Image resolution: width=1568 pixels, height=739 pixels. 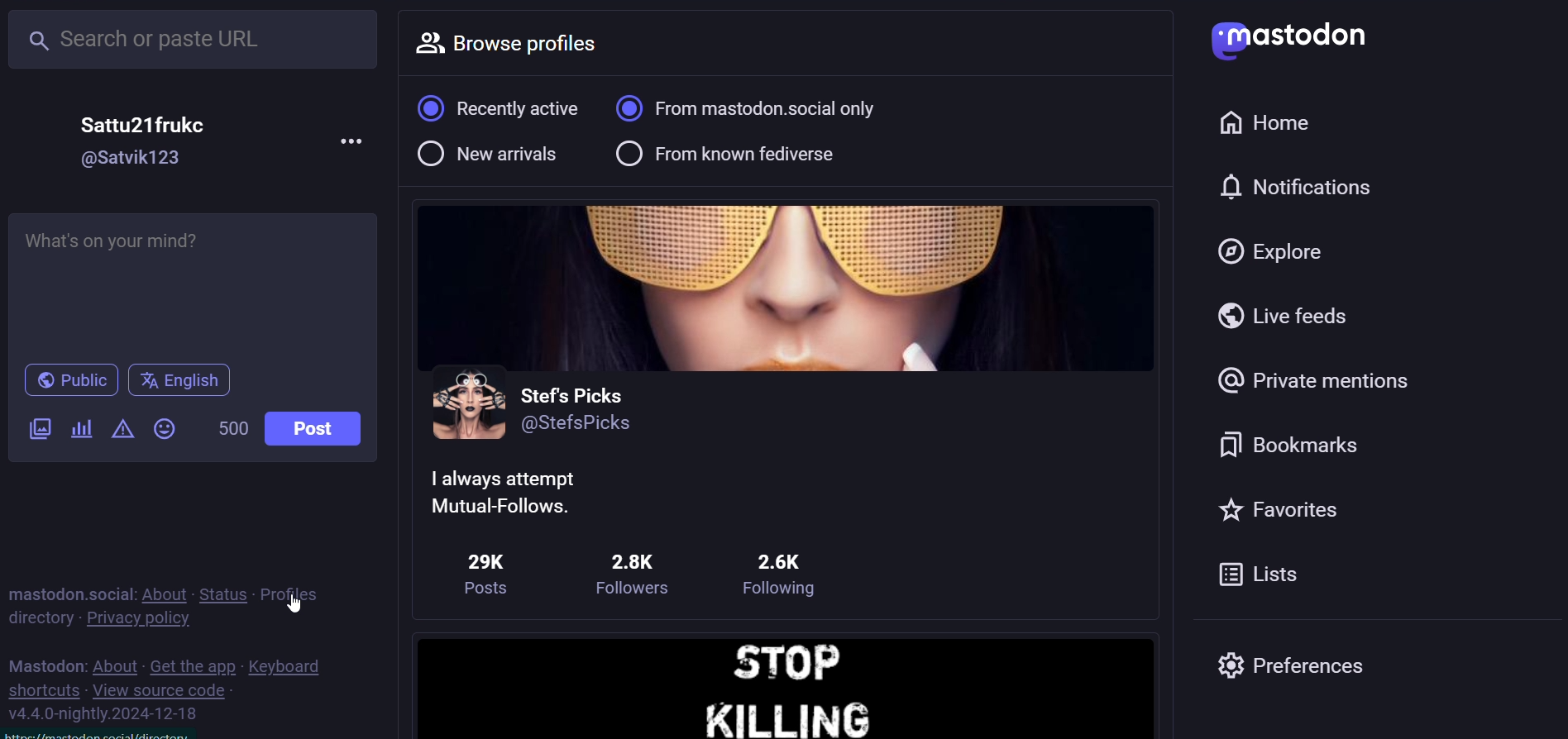 I want to click on status, so click(x=223, y=594).